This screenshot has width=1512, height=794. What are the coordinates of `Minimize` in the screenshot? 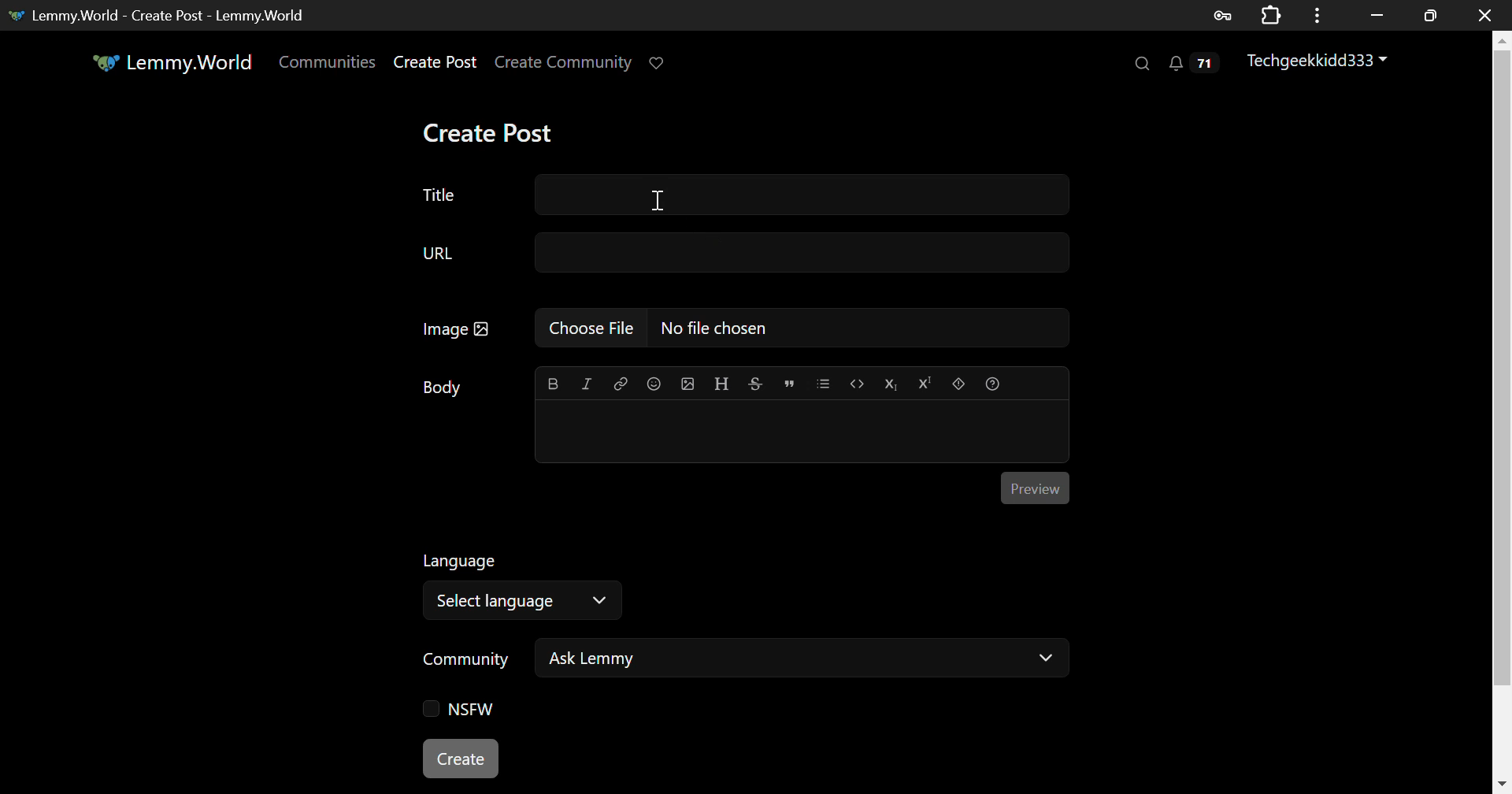 It's located at (1431, 16).